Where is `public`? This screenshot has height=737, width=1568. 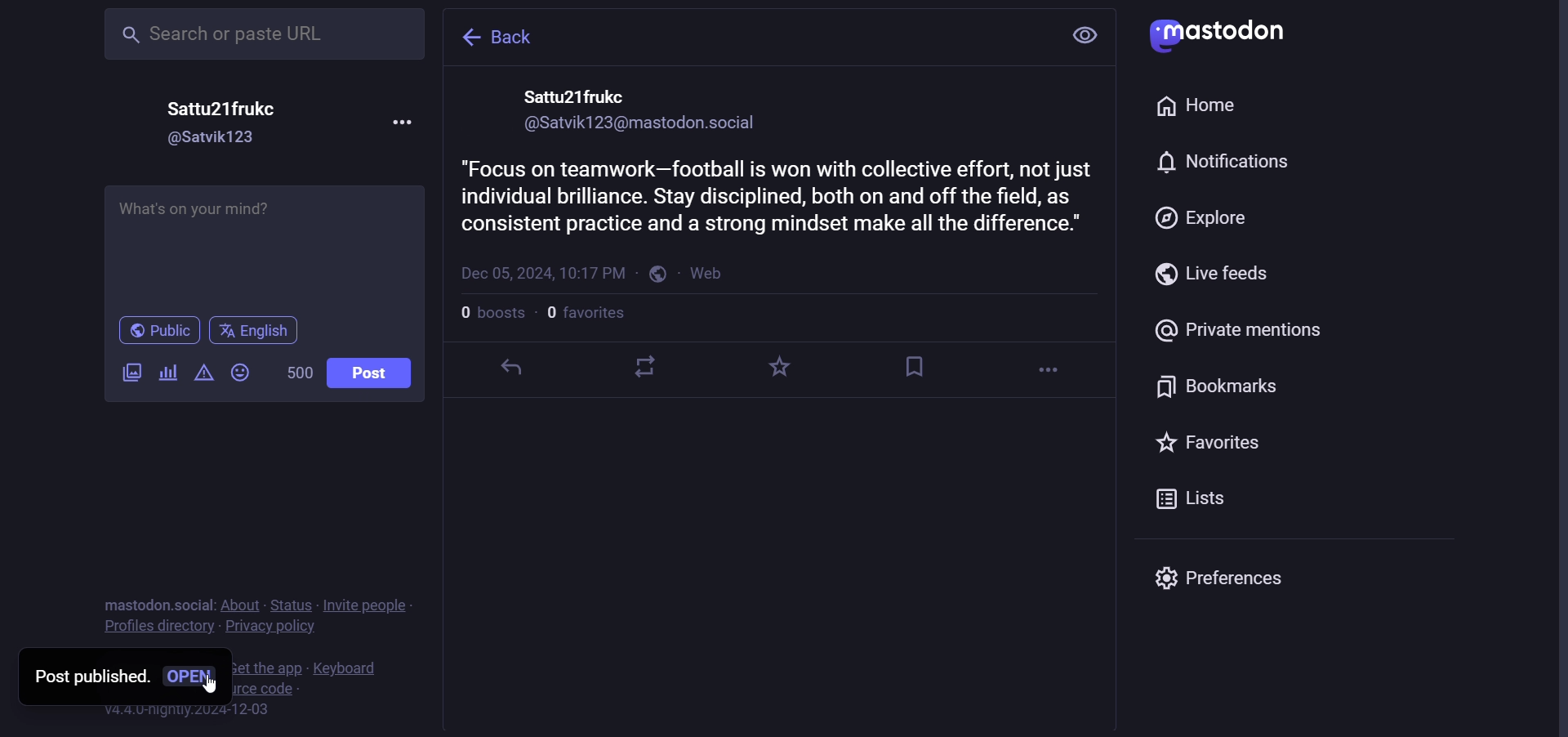 public is located at coordinates (158, 332).